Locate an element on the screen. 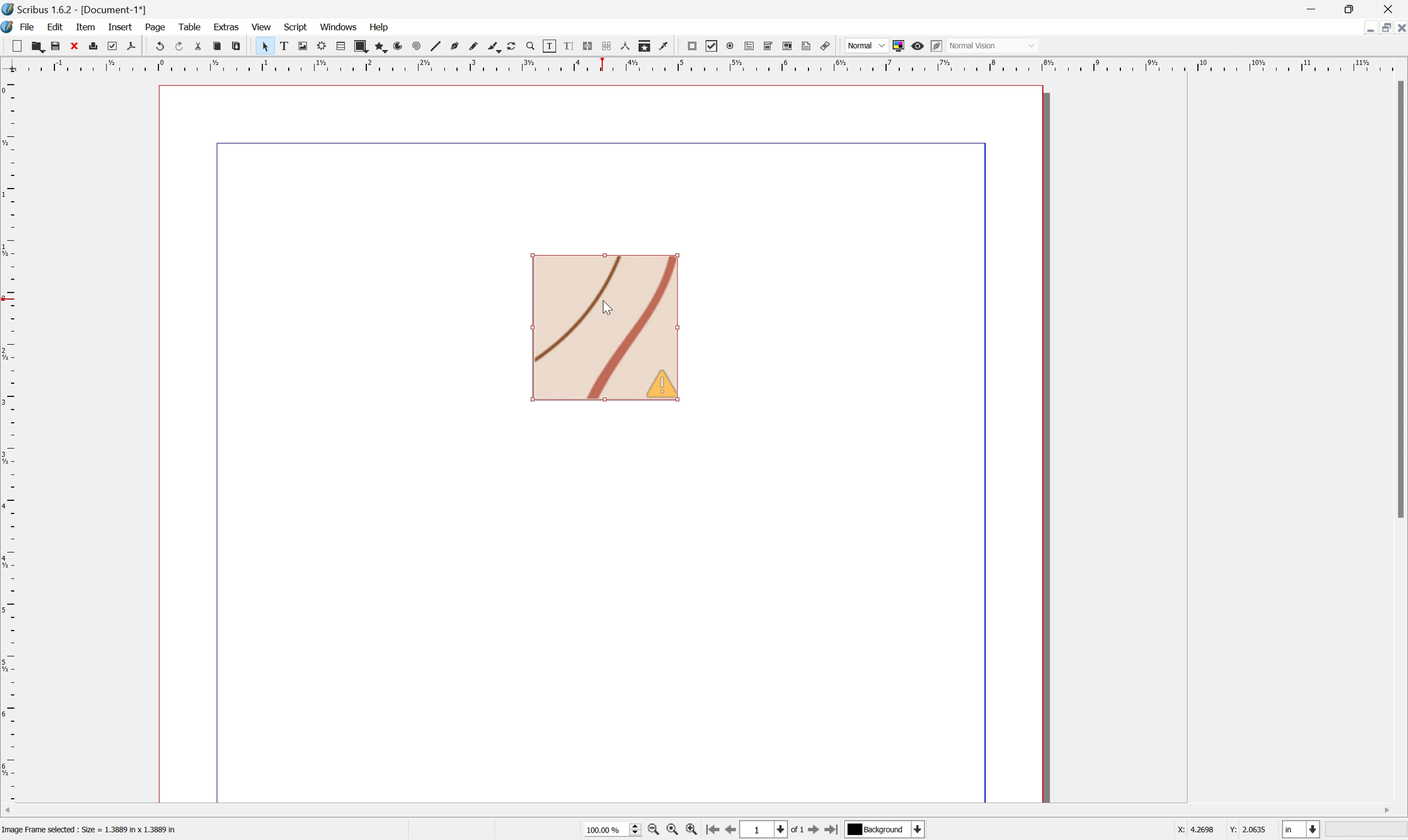  PDF radio button is located at coordinates (731, 45).